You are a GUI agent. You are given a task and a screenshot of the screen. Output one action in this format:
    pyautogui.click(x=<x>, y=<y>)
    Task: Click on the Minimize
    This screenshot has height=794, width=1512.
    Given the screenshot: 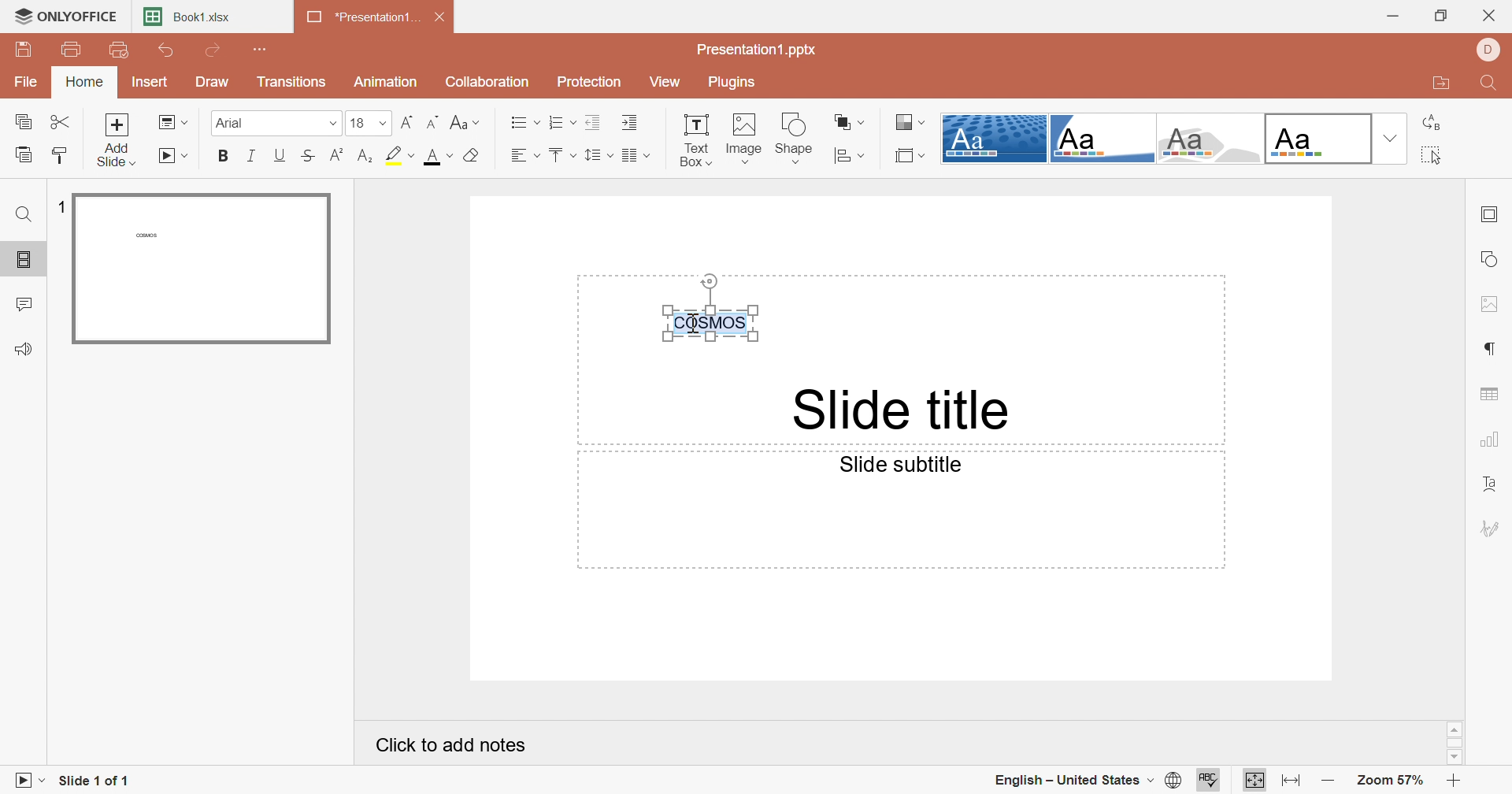 What is the action you would take?
    pyautogui.click(x=1394, y=17)
    